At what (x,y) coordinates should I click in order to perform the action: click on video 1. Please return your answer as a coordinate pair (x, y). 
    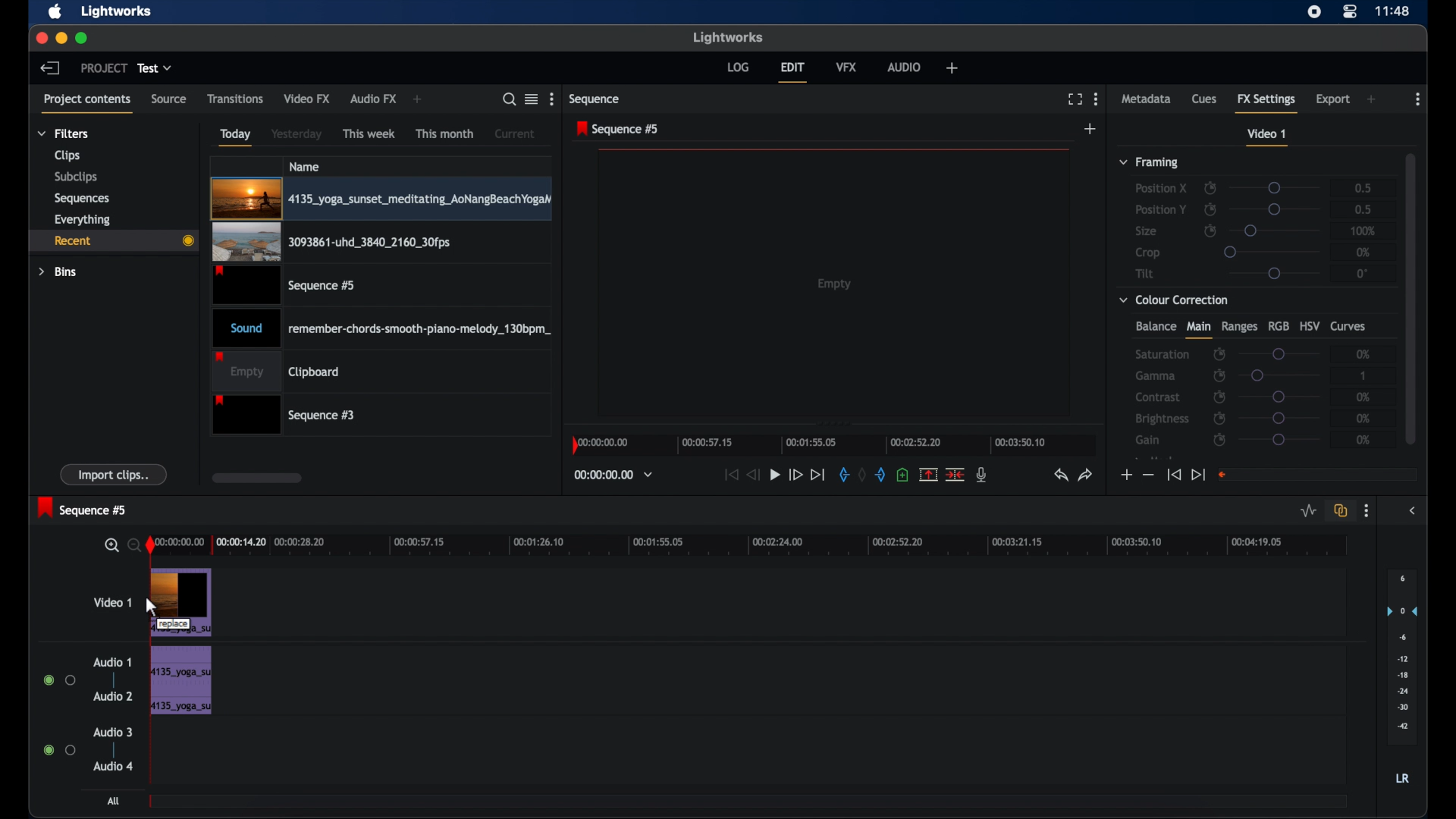
    Looking at the image, I should click on (112, 602).